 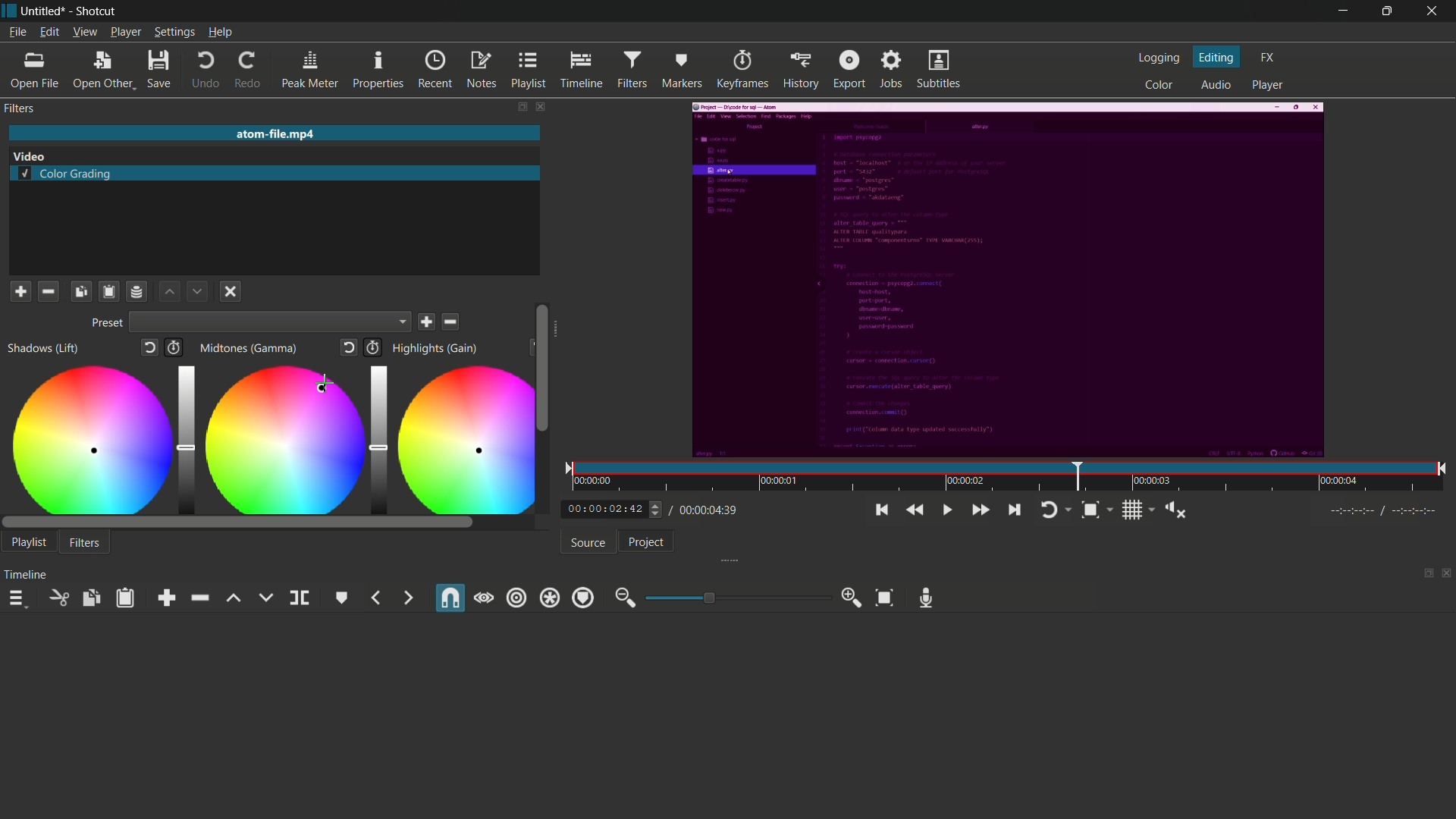 What do you see at coordinates (448, 599) in the screenshot?
I see `snap` at bounding box center [448, 599].